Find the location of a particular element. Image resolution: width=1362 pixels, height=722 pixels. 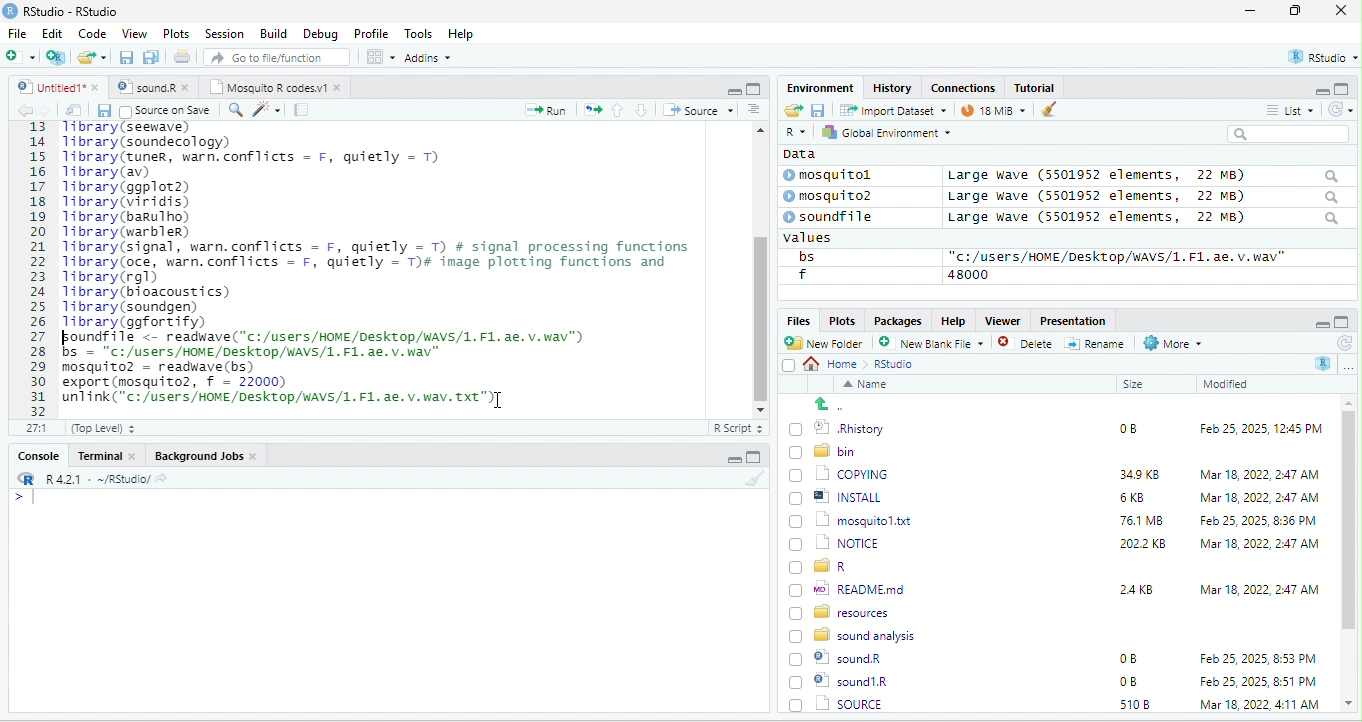

349K8 is located at coordinates (1140, 475).